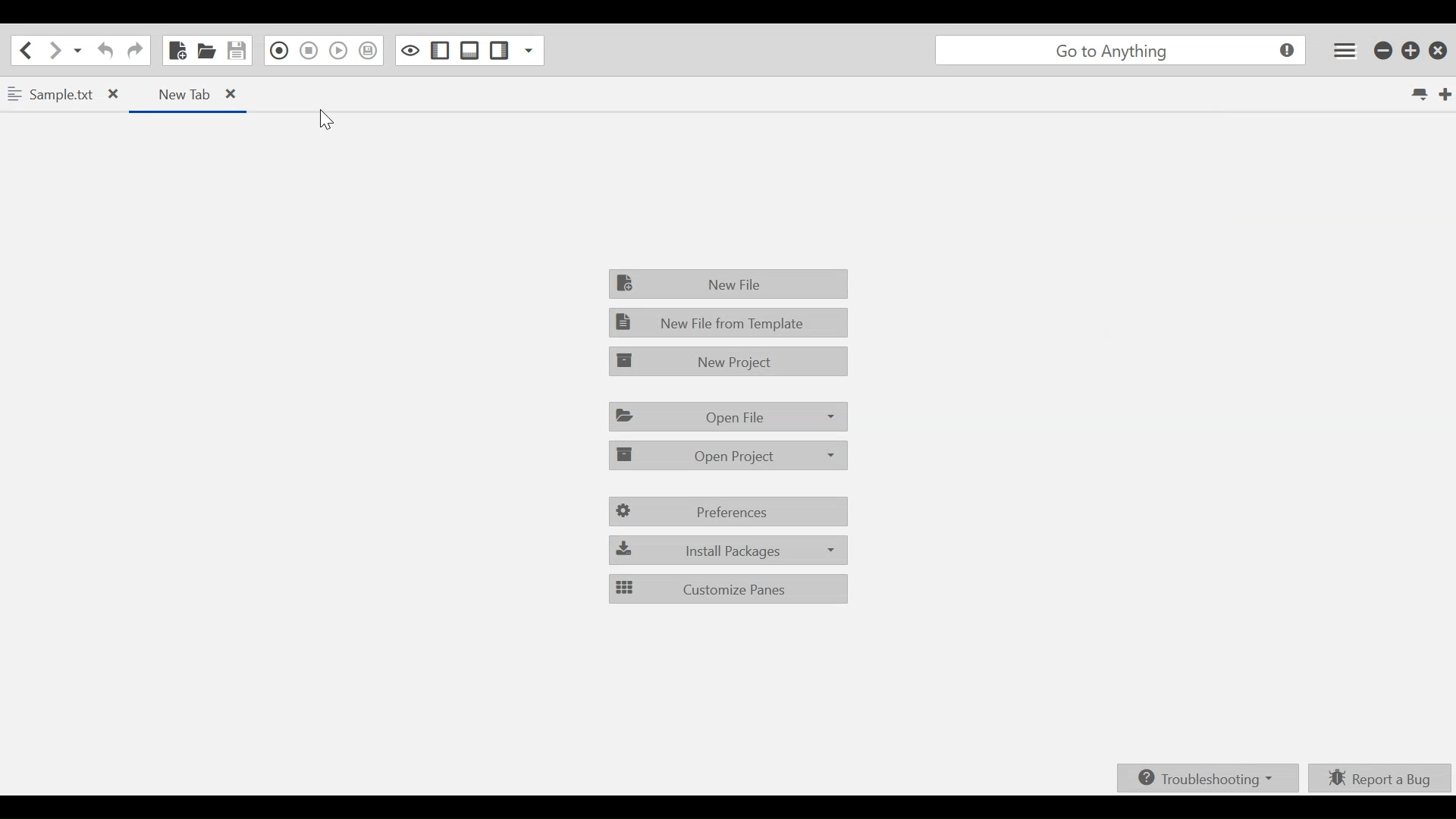 This screenshot has width=1456, height=819. Describe the element at coordinates (1447, 94) in the screenshot. I see `New Tab` at that location.